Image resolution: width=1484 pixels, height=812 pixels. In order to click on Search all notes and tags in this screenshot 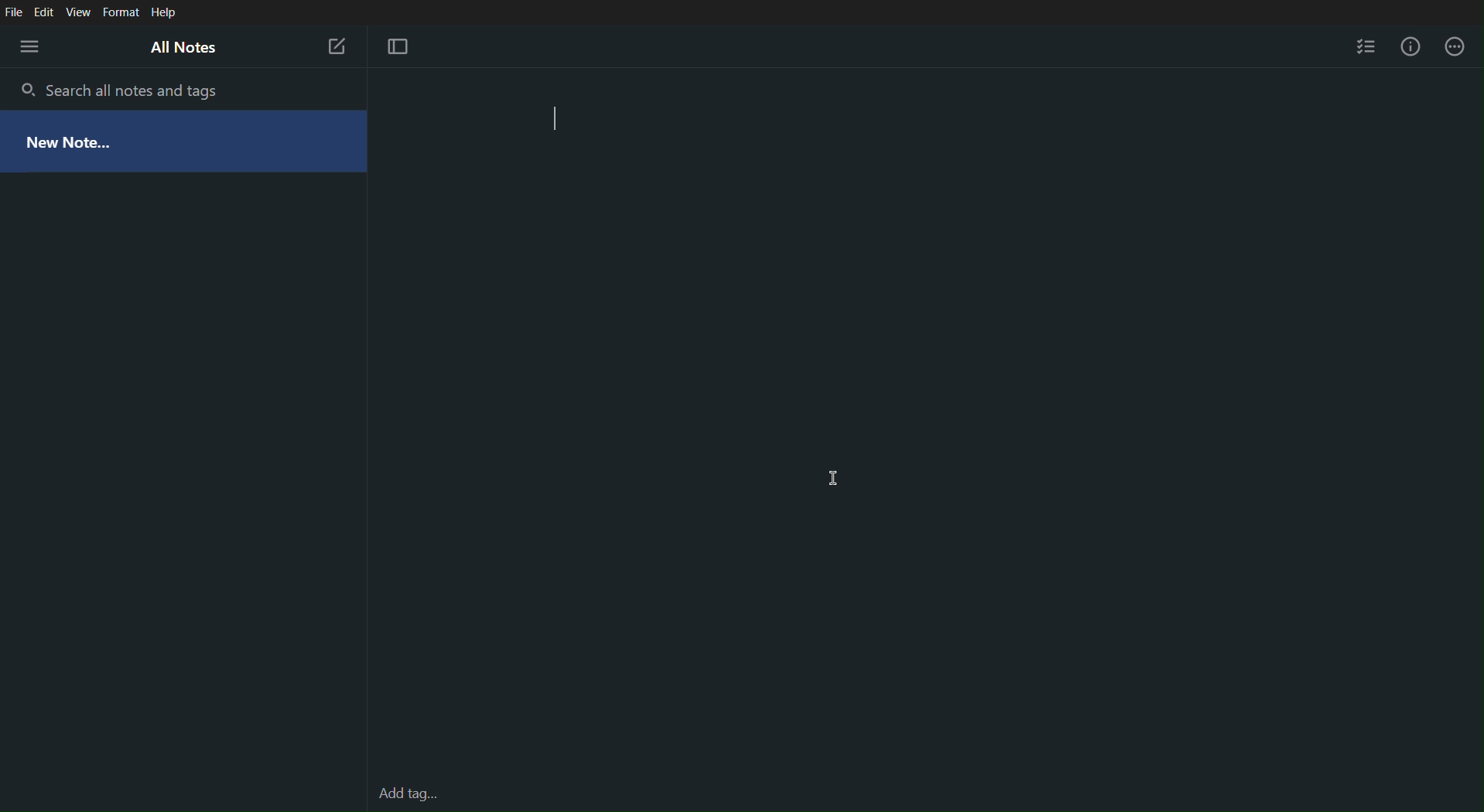, I will do `click(128, 89)`.